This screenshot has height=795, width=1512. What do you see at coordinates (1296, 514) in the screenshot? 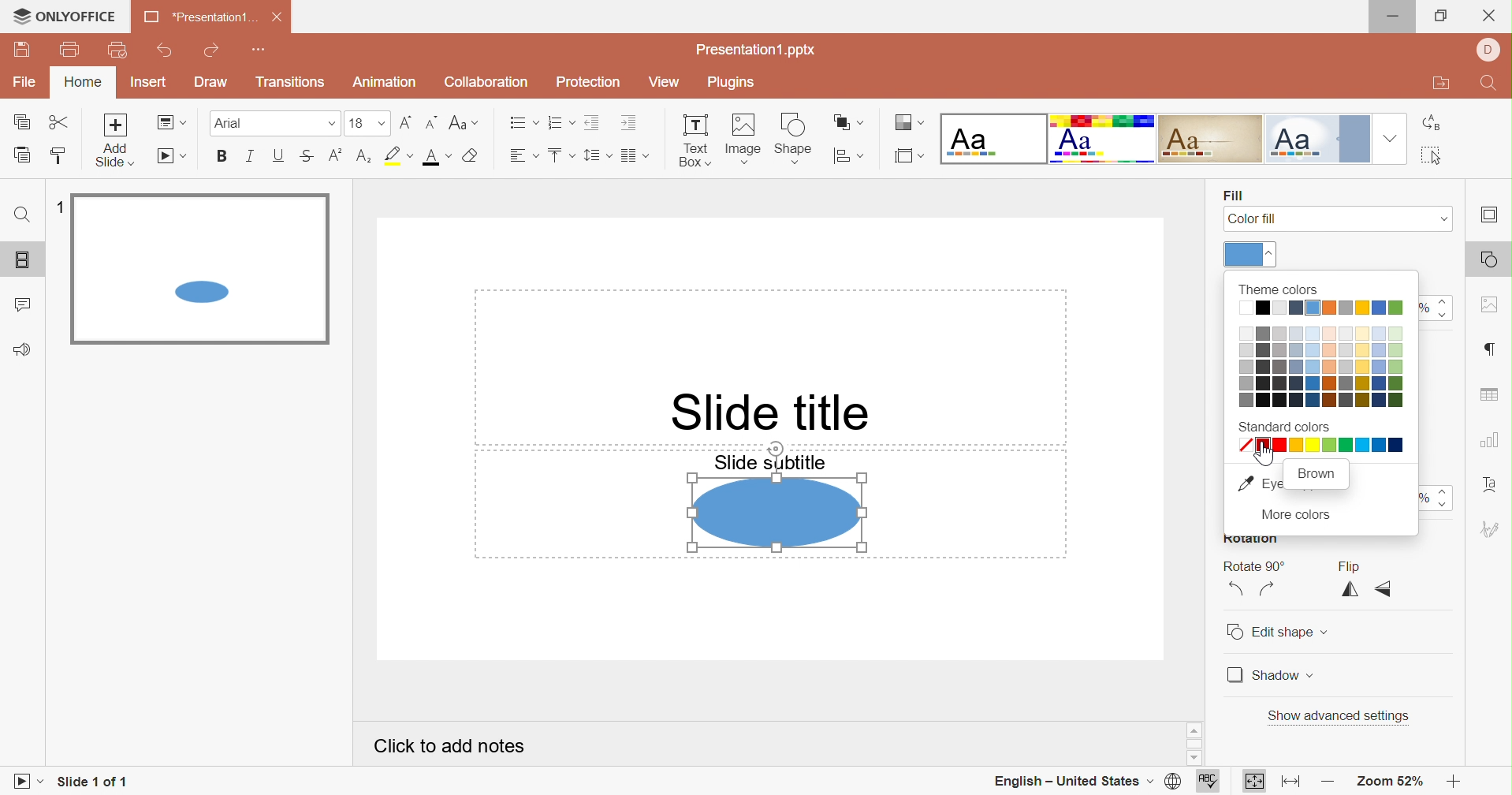
I see `More colors` at bounding box center [1296, 514].